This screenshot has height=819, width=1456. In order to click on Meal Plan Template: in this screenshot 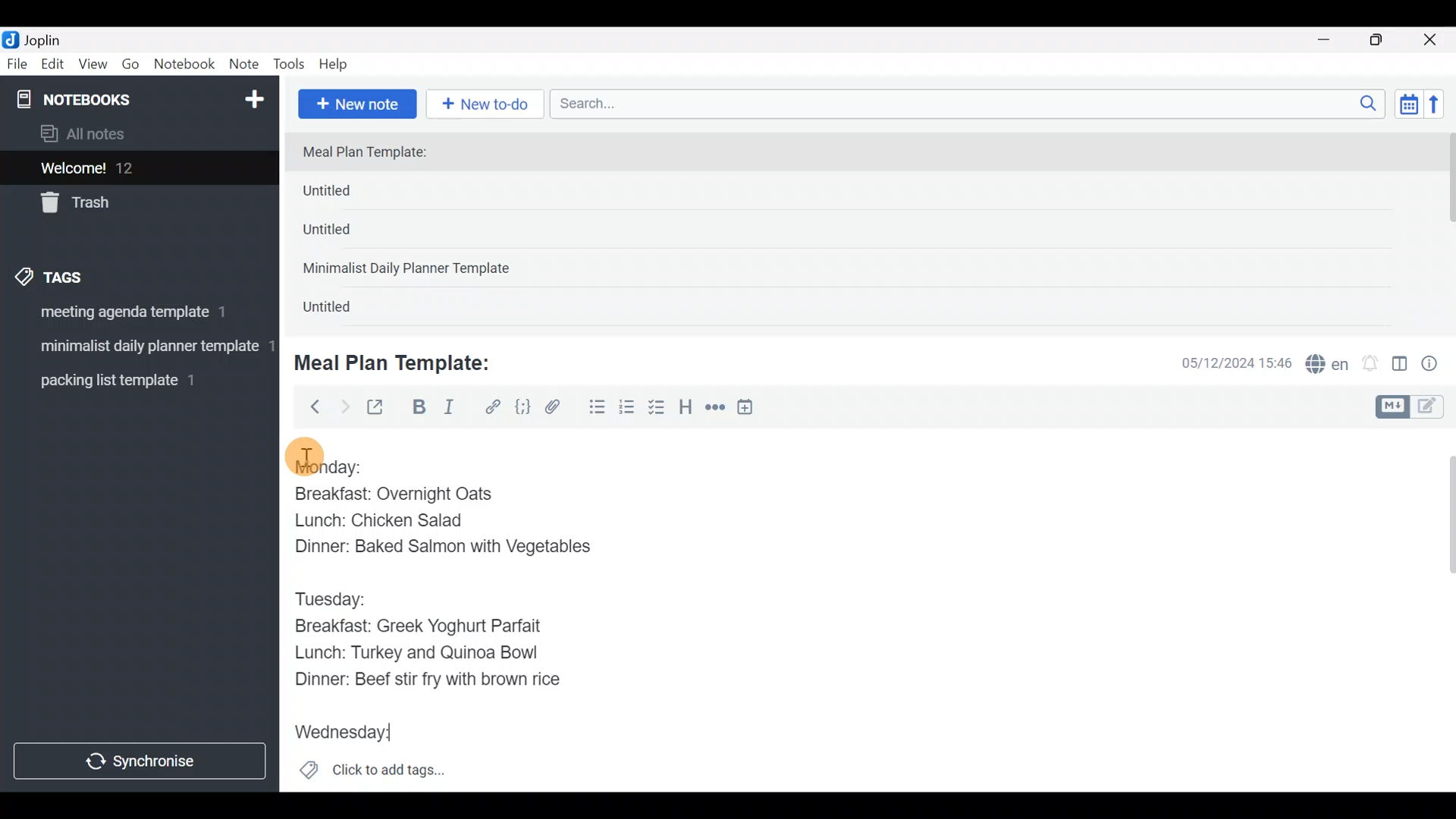, I will do `click(402, 361)`.